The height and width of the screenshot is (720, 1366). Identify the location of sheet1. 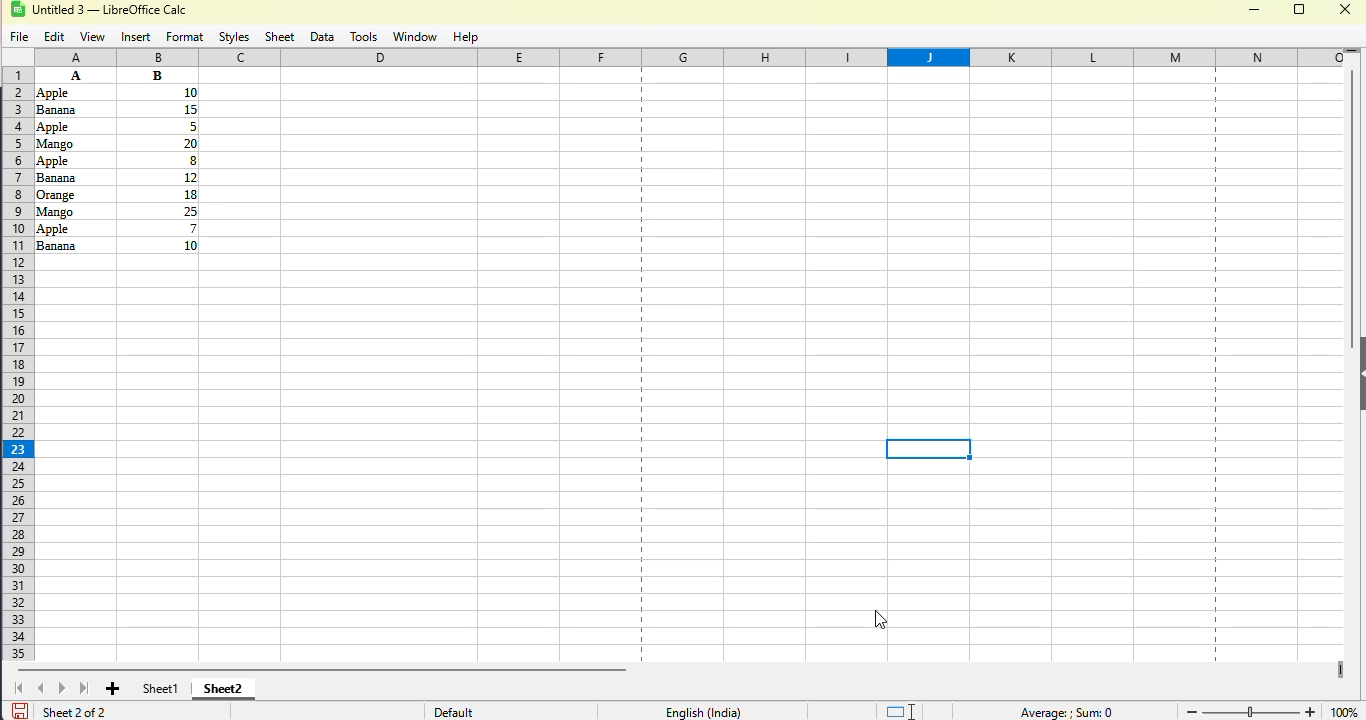
(161, 688).